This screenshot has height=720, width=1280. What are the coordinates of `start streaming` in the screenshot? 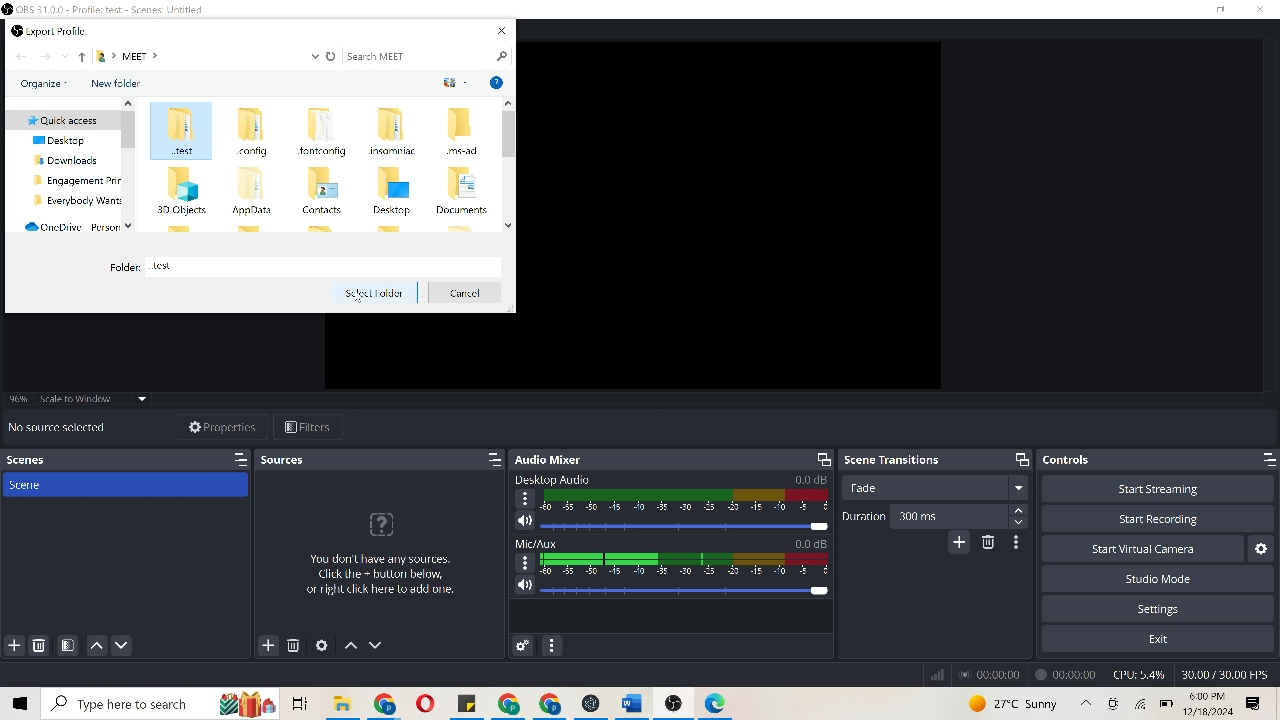 It's located at (1160, 487).